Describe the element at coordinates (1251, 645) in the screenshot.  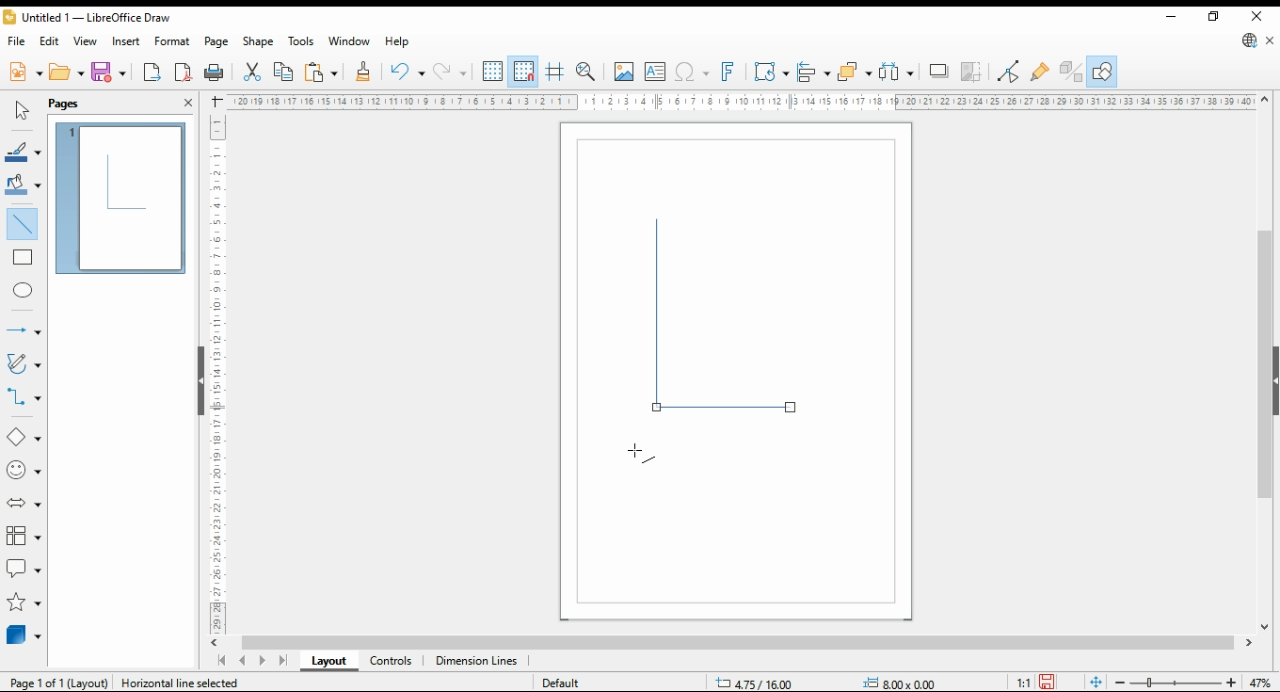
I see `move right` at that location.